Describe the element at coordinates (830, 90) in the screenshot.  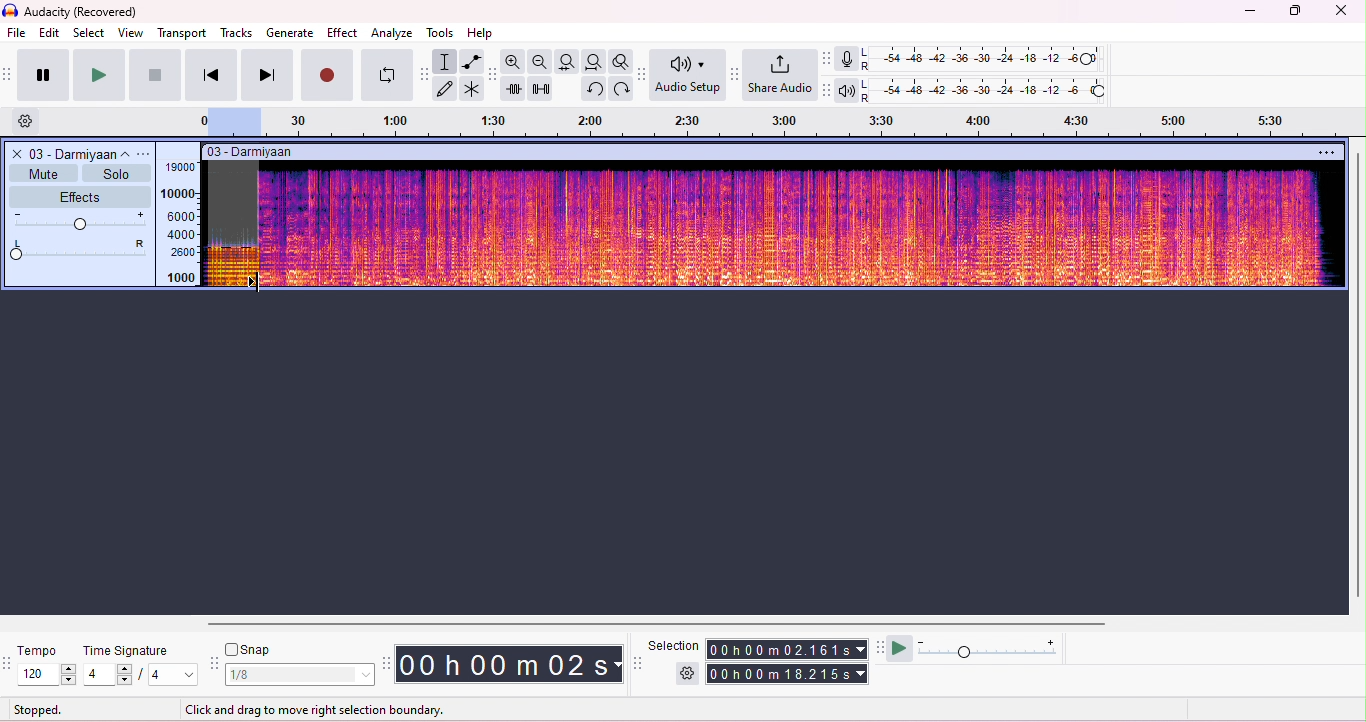
I see `playback meter toolbar` at that location.